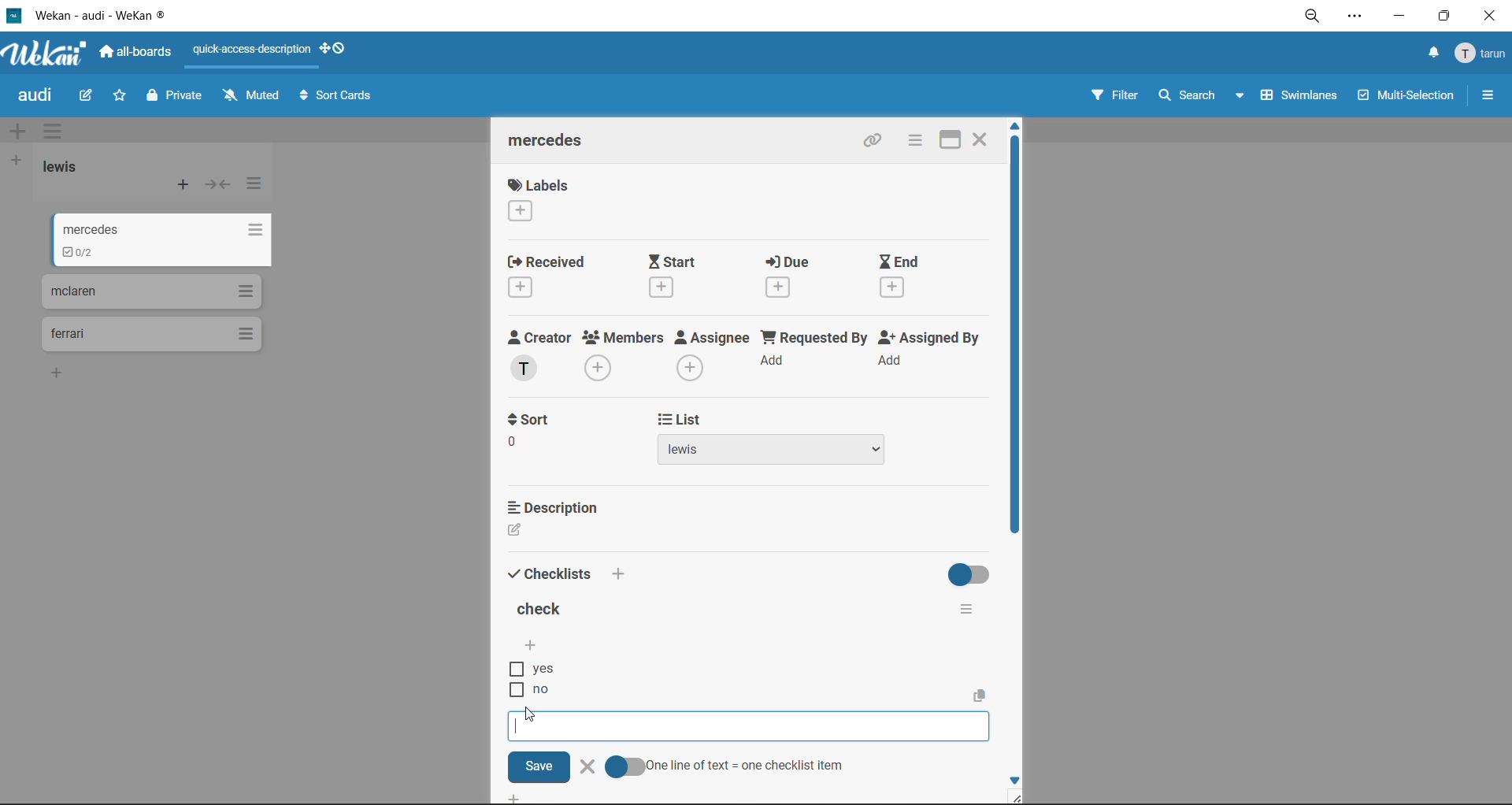  What do you see at coordinates (541, 184) in the screenshot?
I see `label` at bounding box center [541, 184].